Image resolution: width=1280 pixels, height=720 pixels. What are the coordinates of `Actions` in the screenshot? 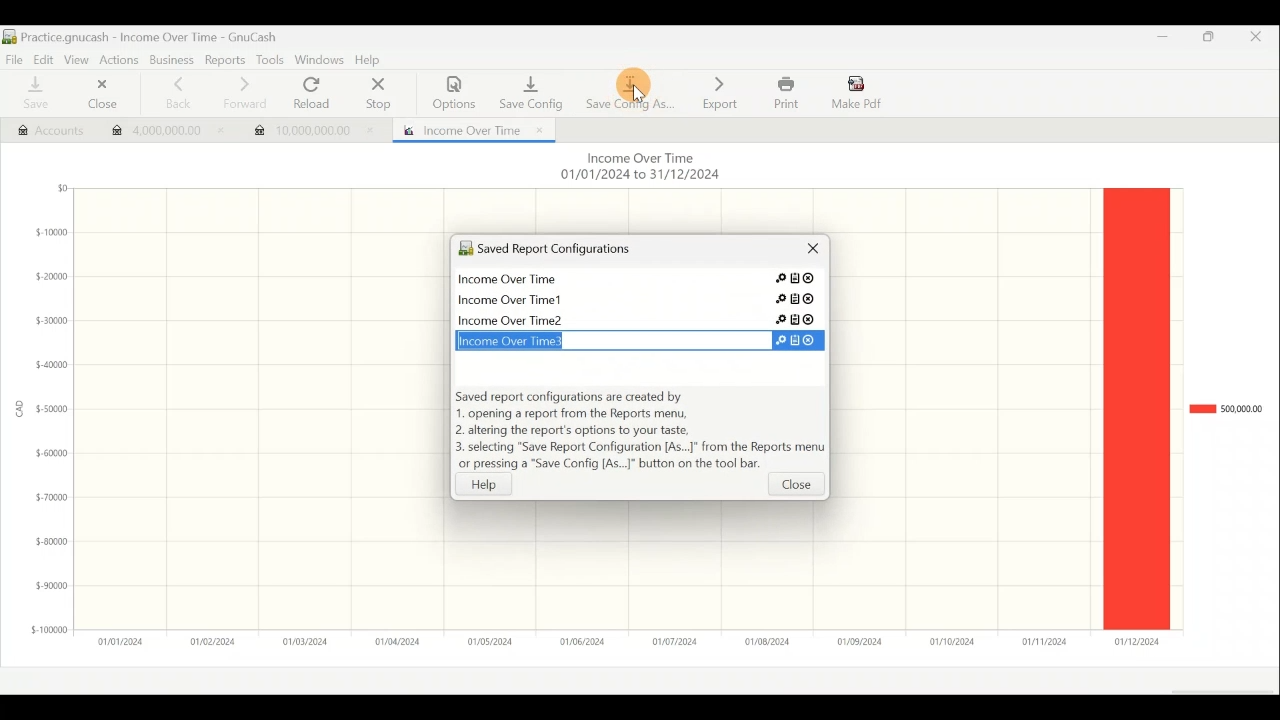 It's located at (119, 59).